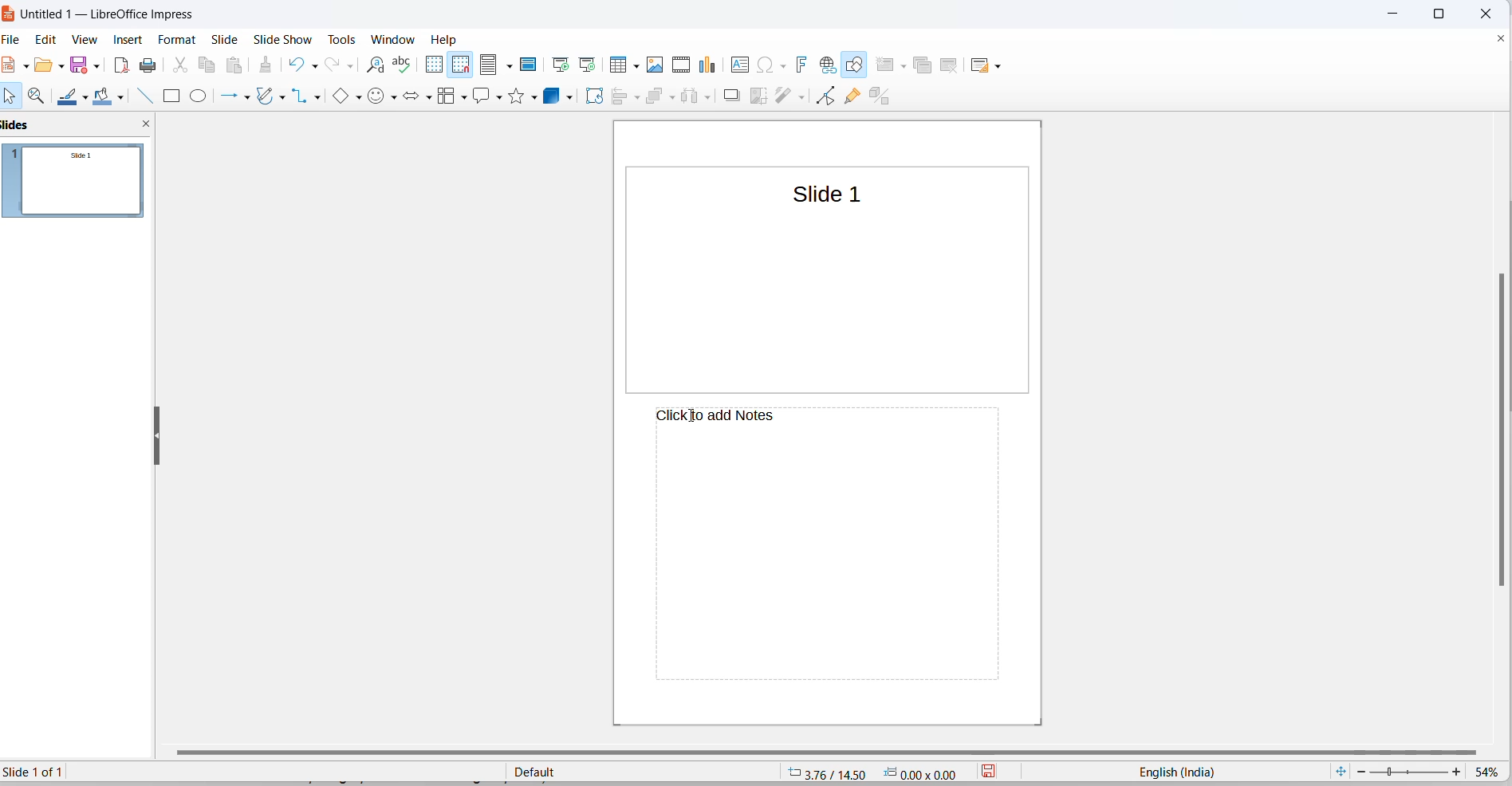 The height and width of the screenshot is (786, 1512). I want to click on cut, so click(180, 65).